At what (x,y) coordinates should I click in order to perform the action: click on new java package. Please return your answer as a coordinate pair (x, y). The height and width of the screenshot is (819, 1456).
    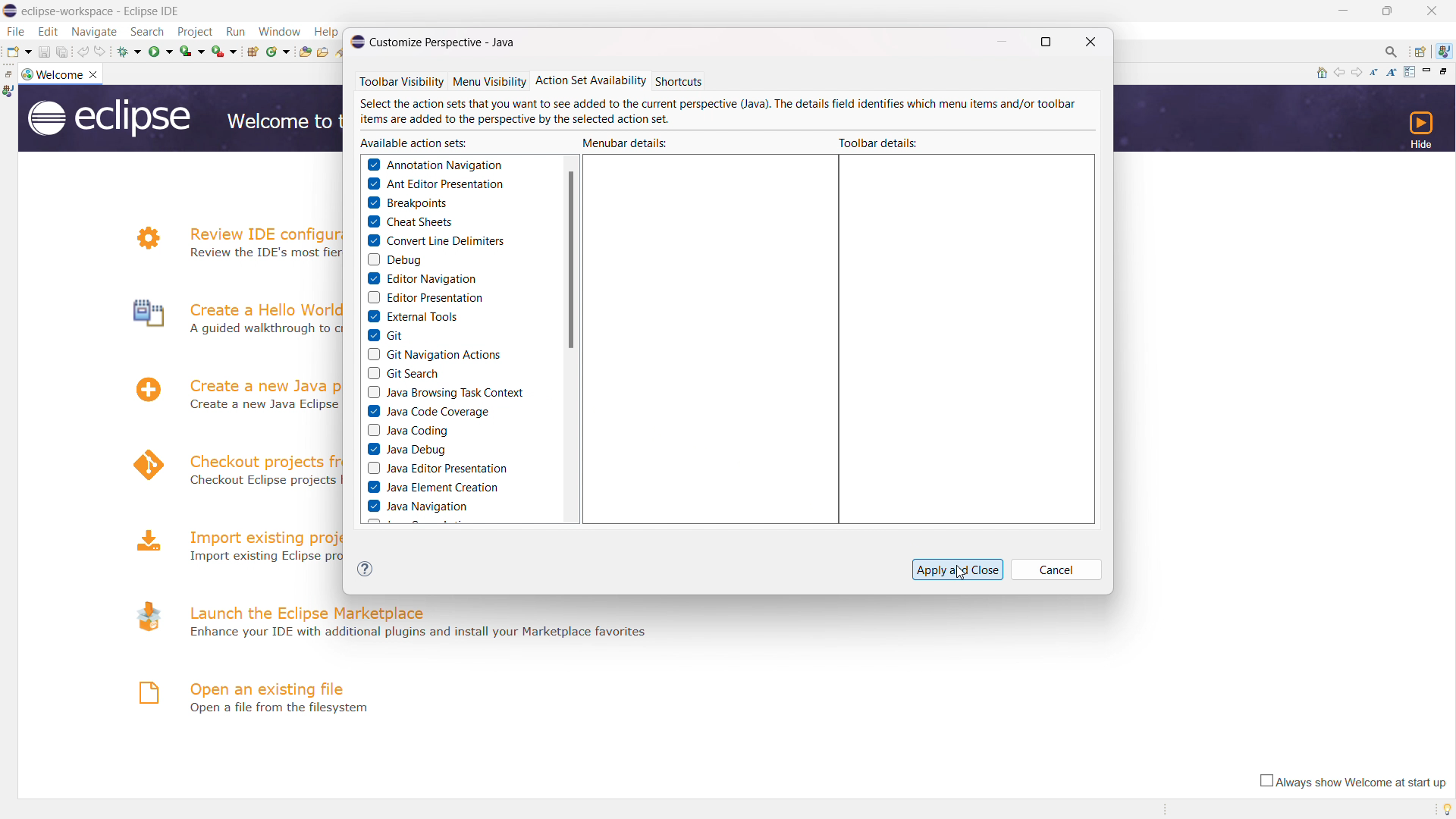
    Looking at the image, I should click on (253, 52).